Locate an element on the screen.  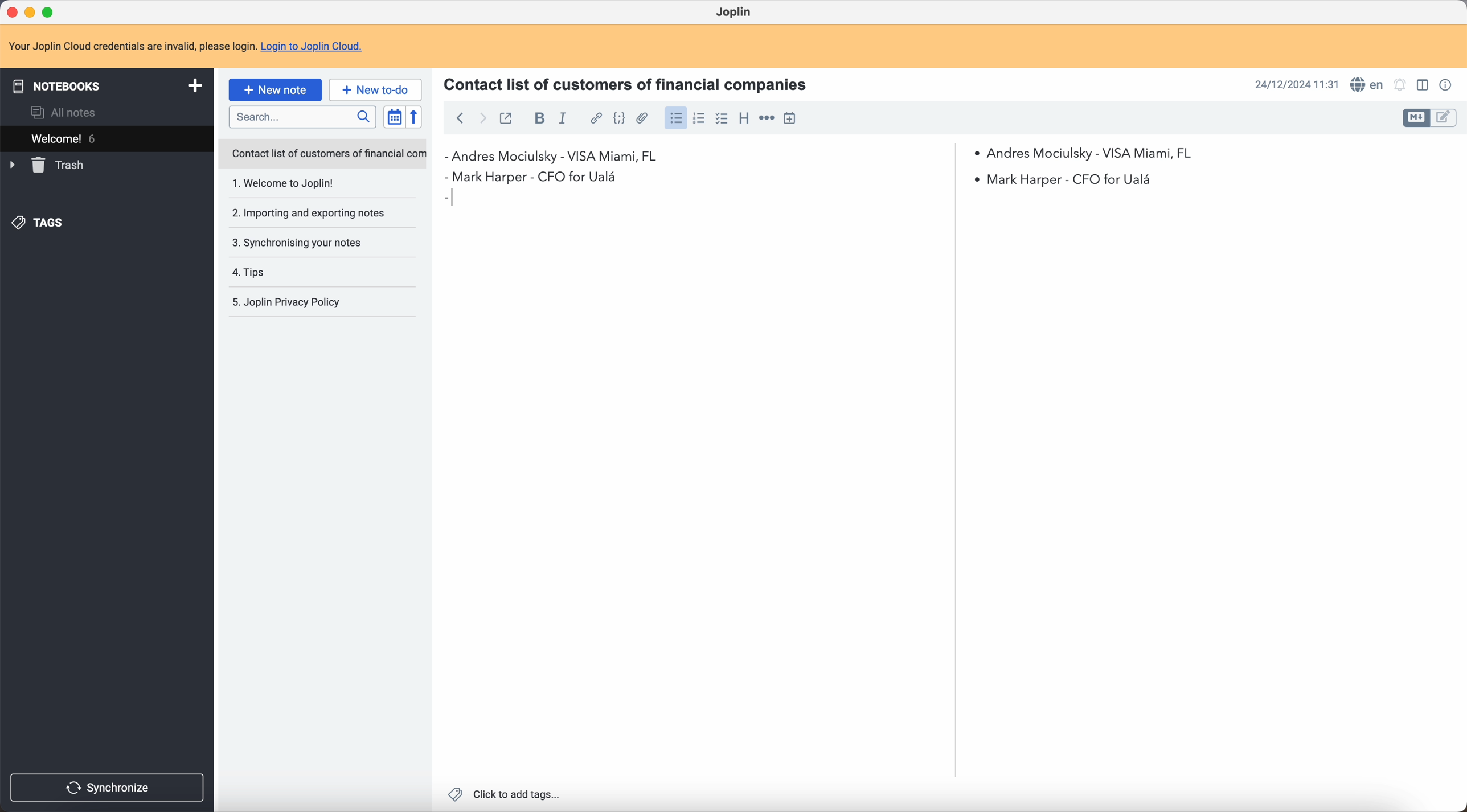
date and hour is located at coordinates (1296, 84).